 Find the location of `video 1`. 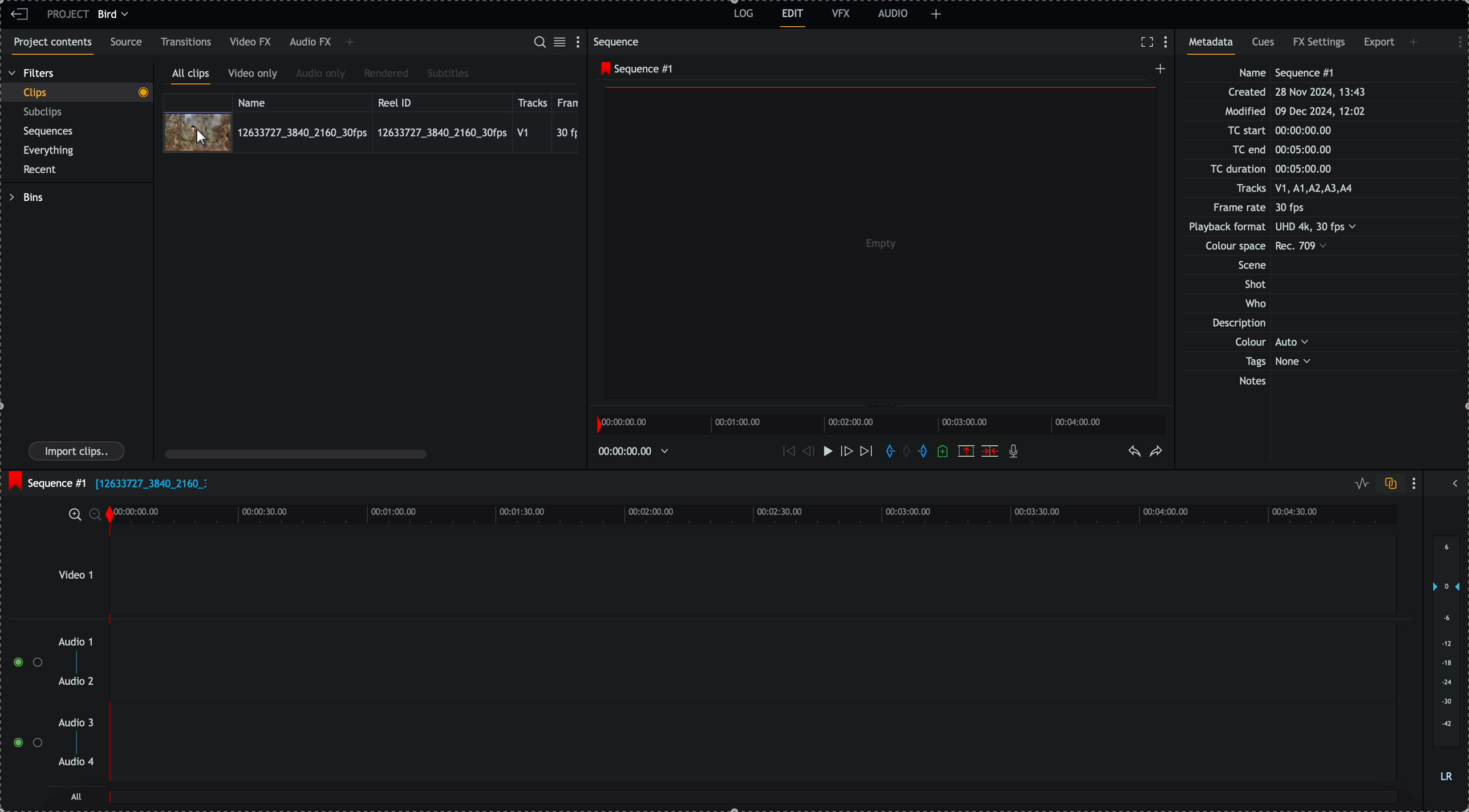

video 1 is located at coordinates (723, 575).